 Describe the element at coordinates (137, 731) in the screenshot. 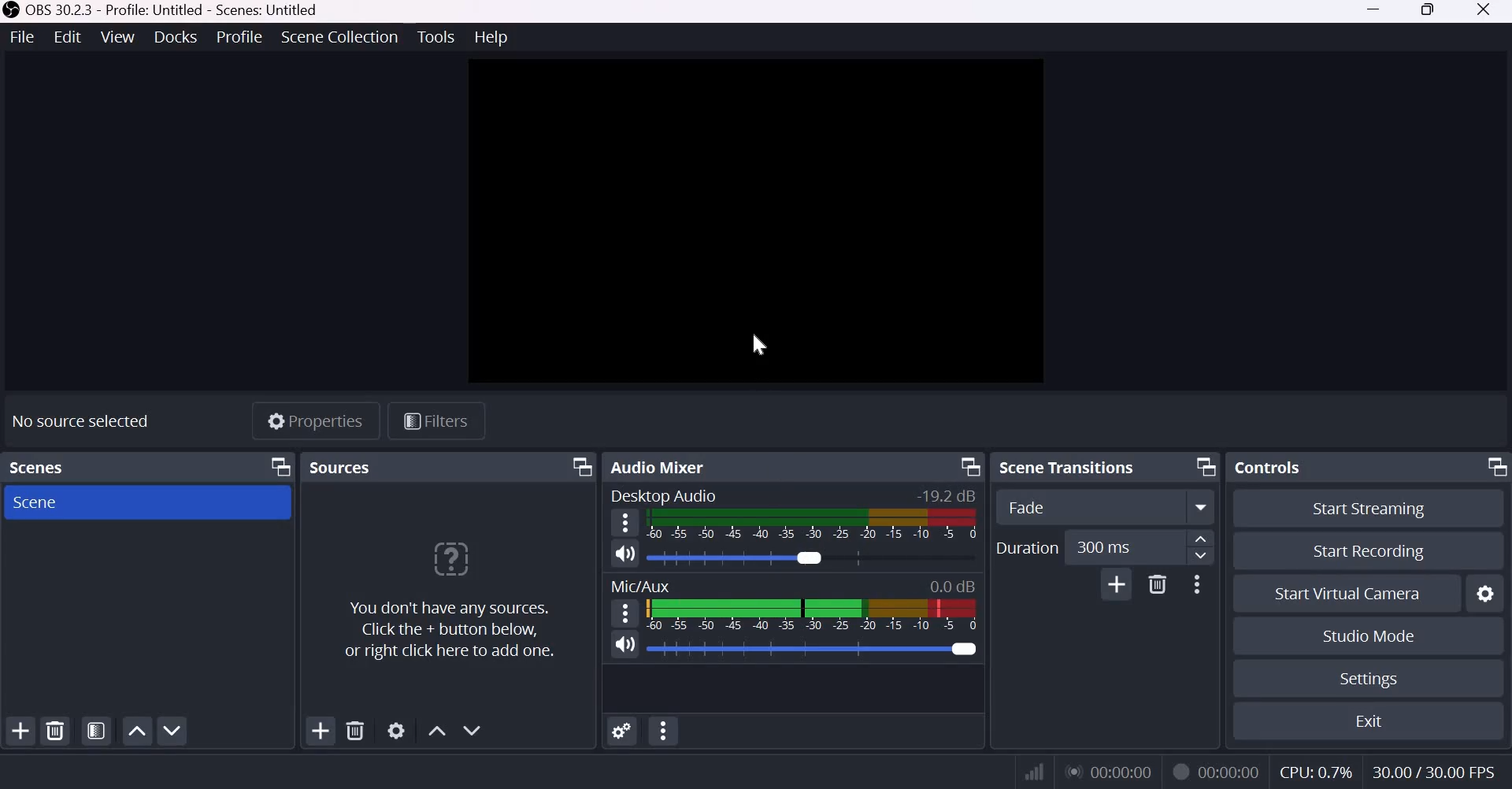

I see `Move scene up` at that location.